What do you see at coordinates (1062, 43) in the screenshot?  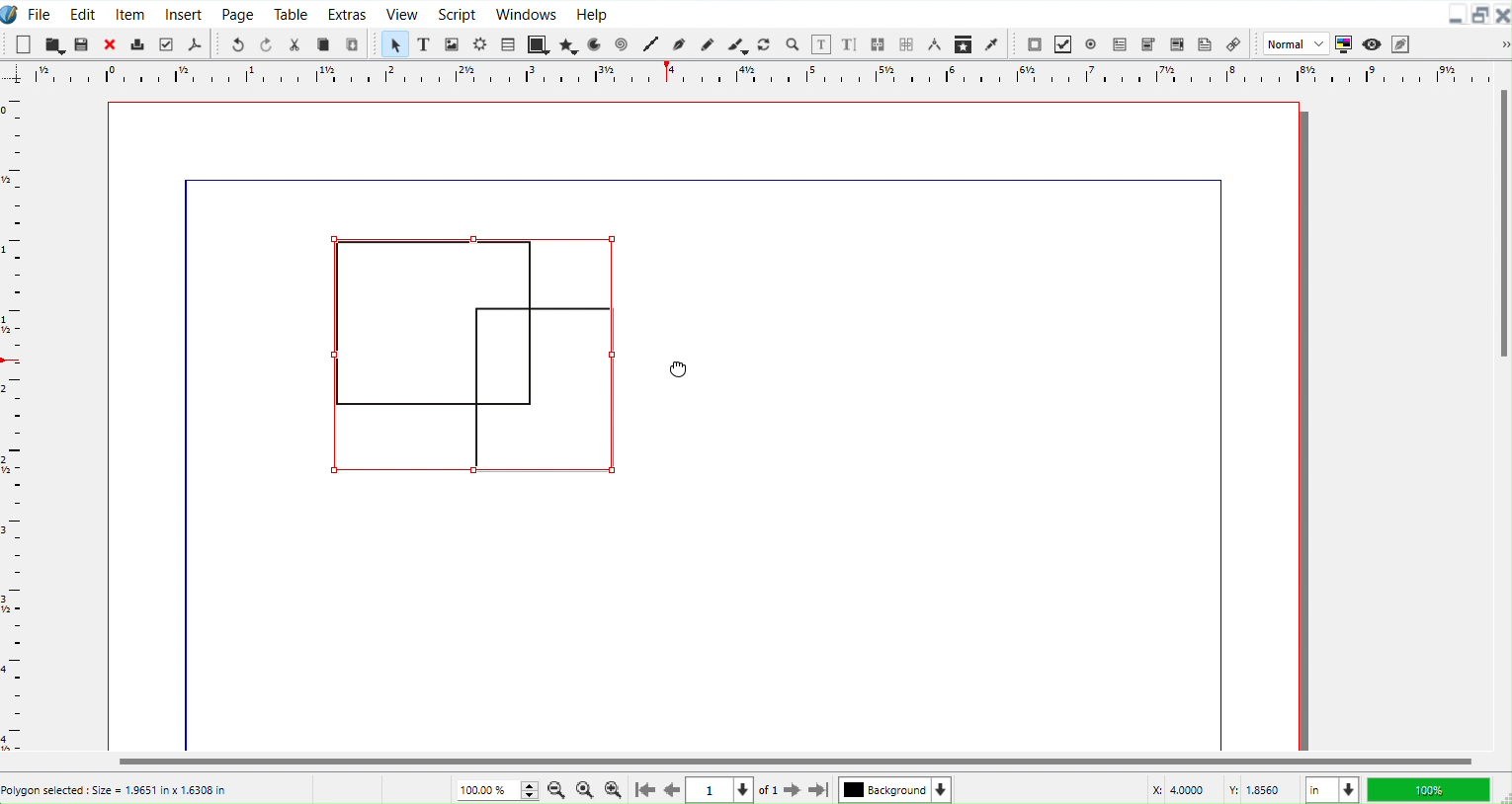 I see `PDF Check box` at bounding box center [1062, 43].